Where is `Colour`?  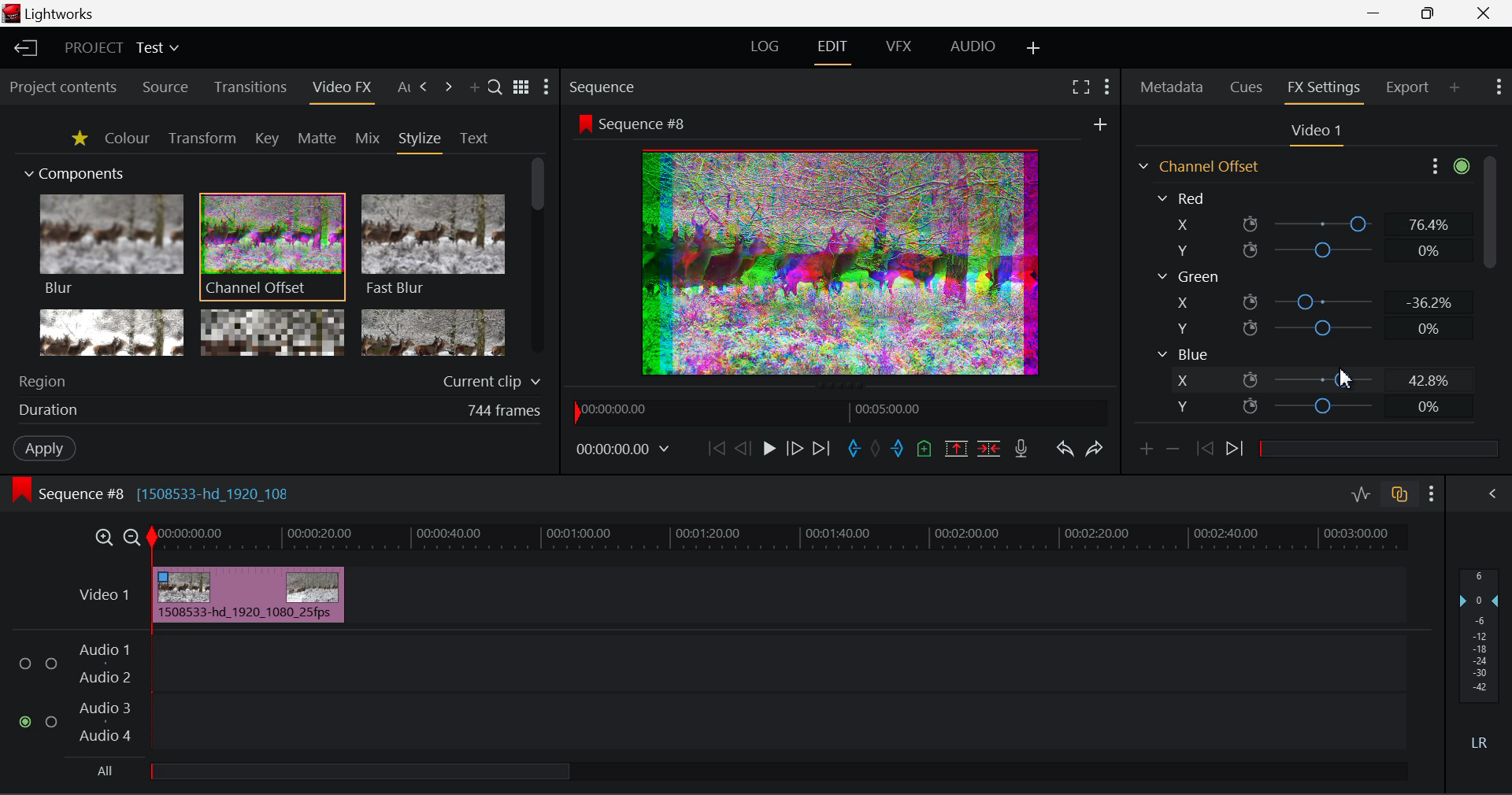
Colour is located at coordinates (126, 138).